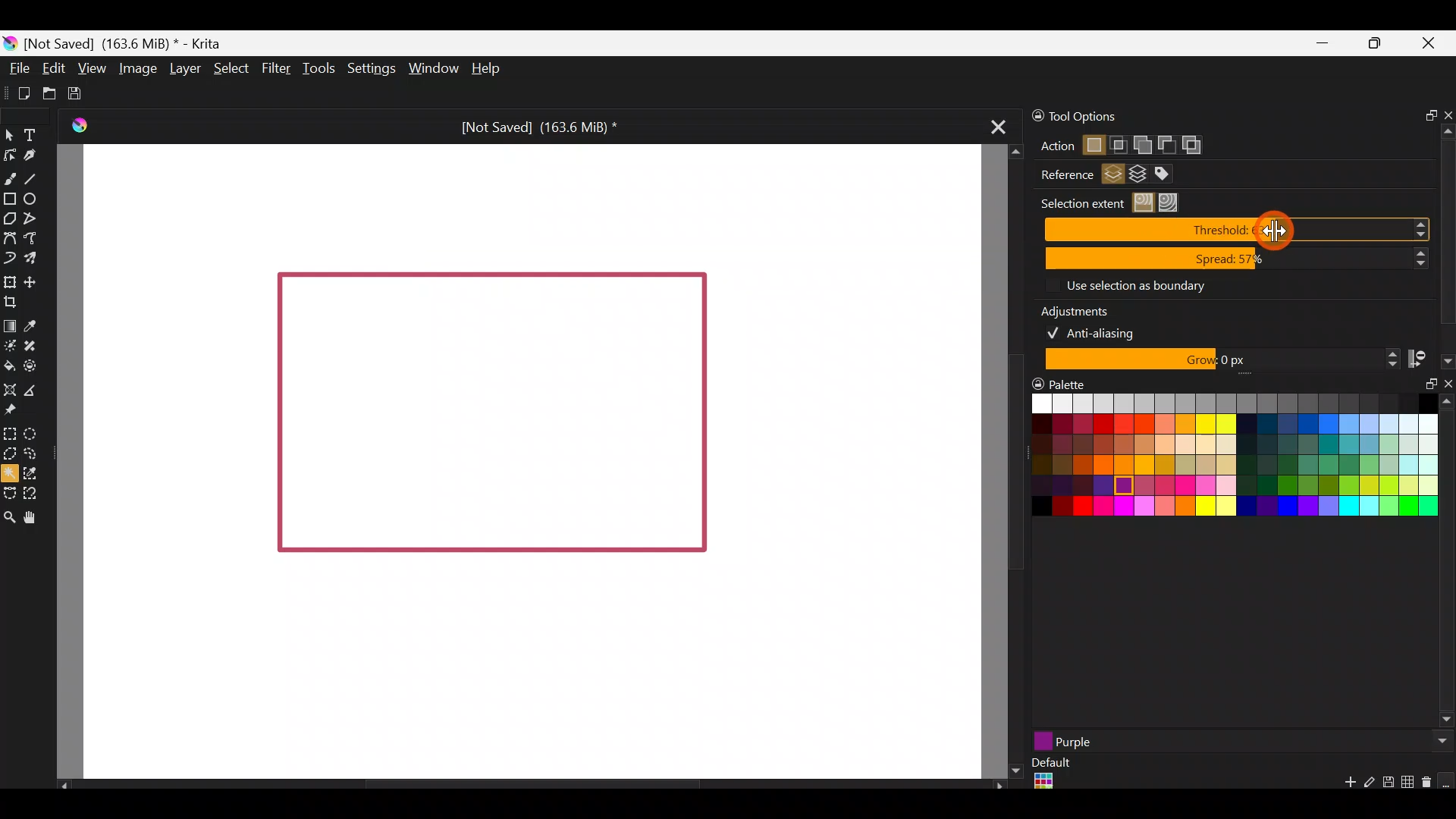  Describe the element at coordinates (10, 347) in the screenshot. I see `Colourise mask tool` at that location.